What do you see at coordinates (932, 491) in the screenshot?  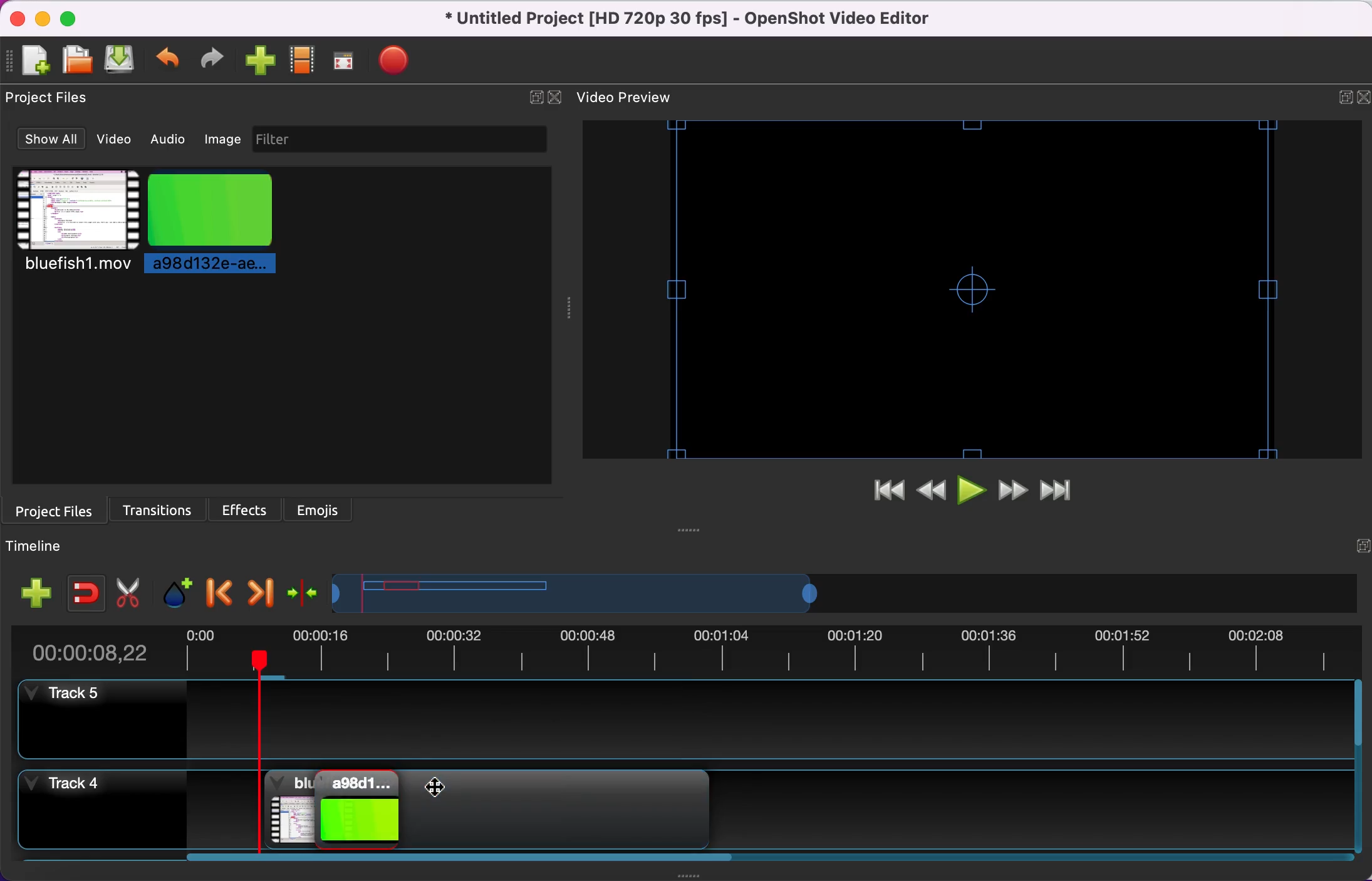 I see `rewind` at bounding box center [932, 491].